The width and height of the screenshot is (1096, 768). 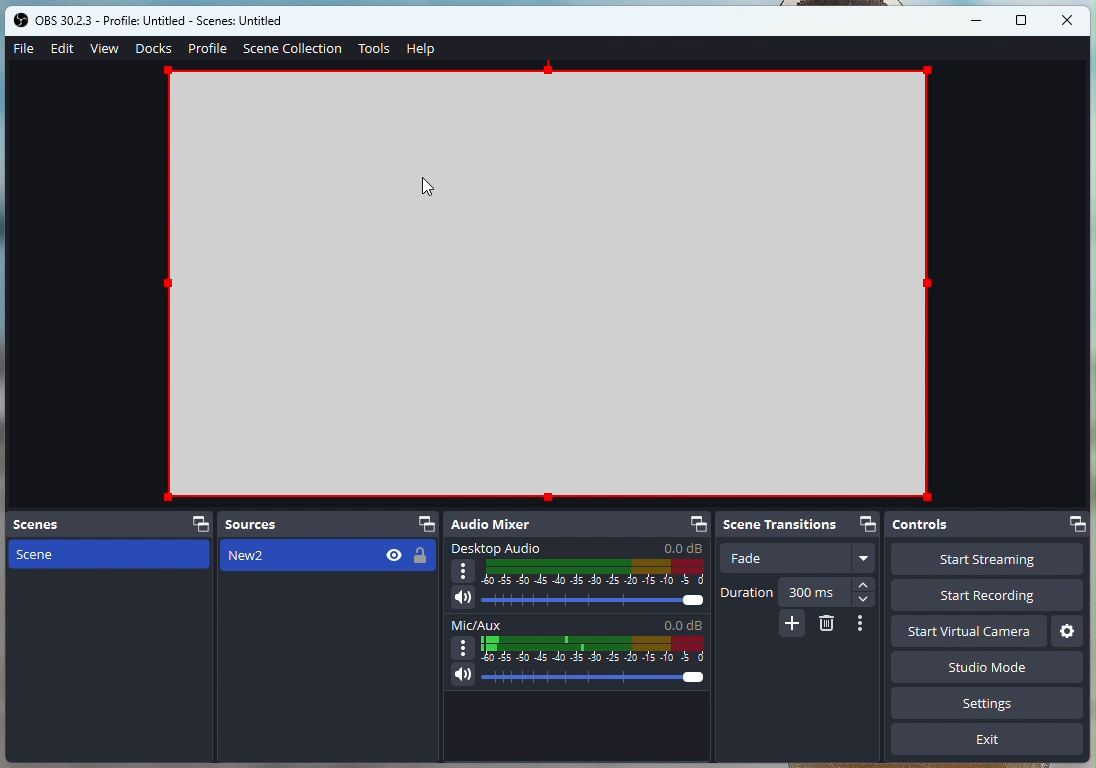 I want to click on Fade, so click(x=798, y=560).